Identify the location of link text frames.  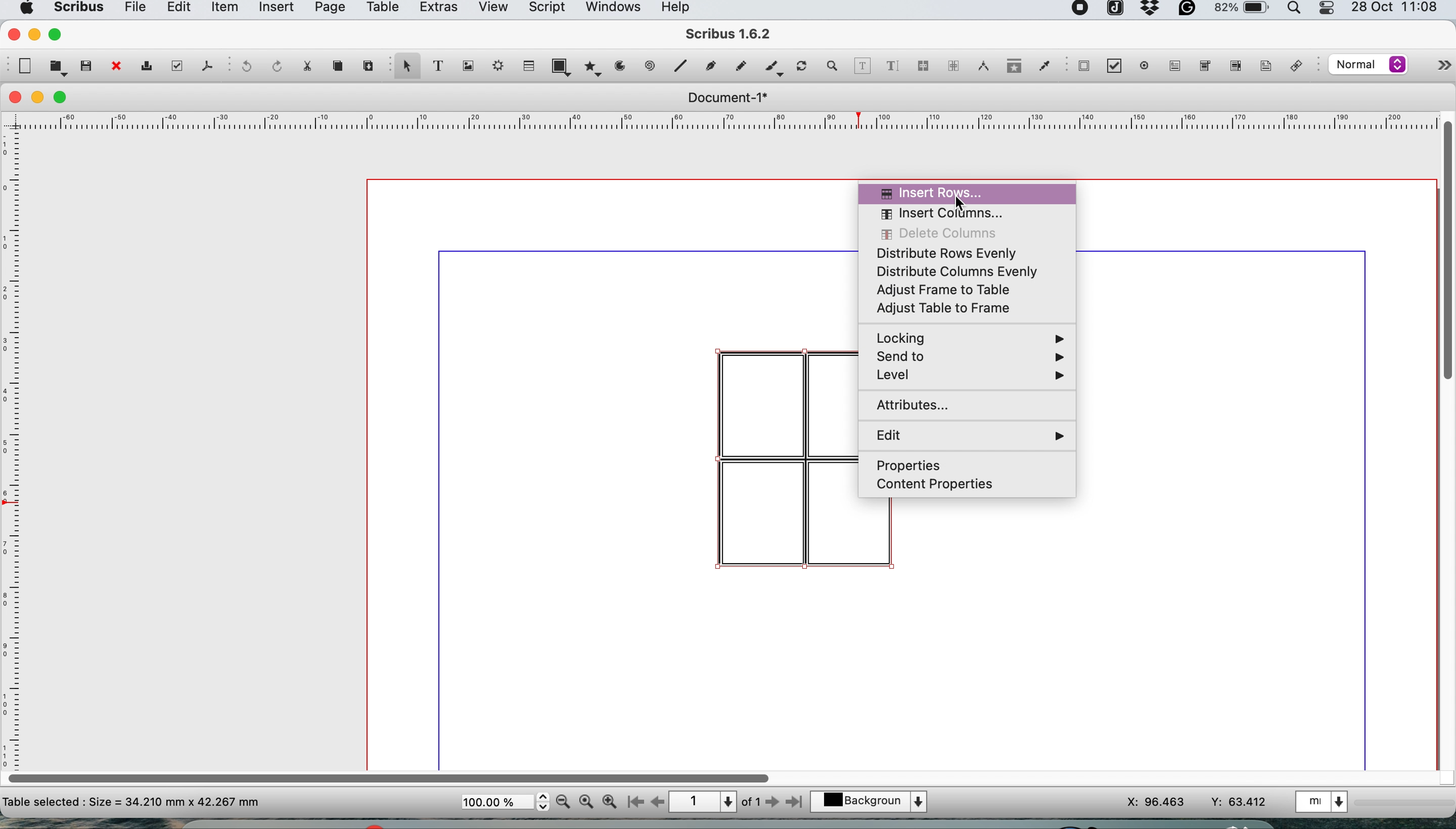
(922, 68).